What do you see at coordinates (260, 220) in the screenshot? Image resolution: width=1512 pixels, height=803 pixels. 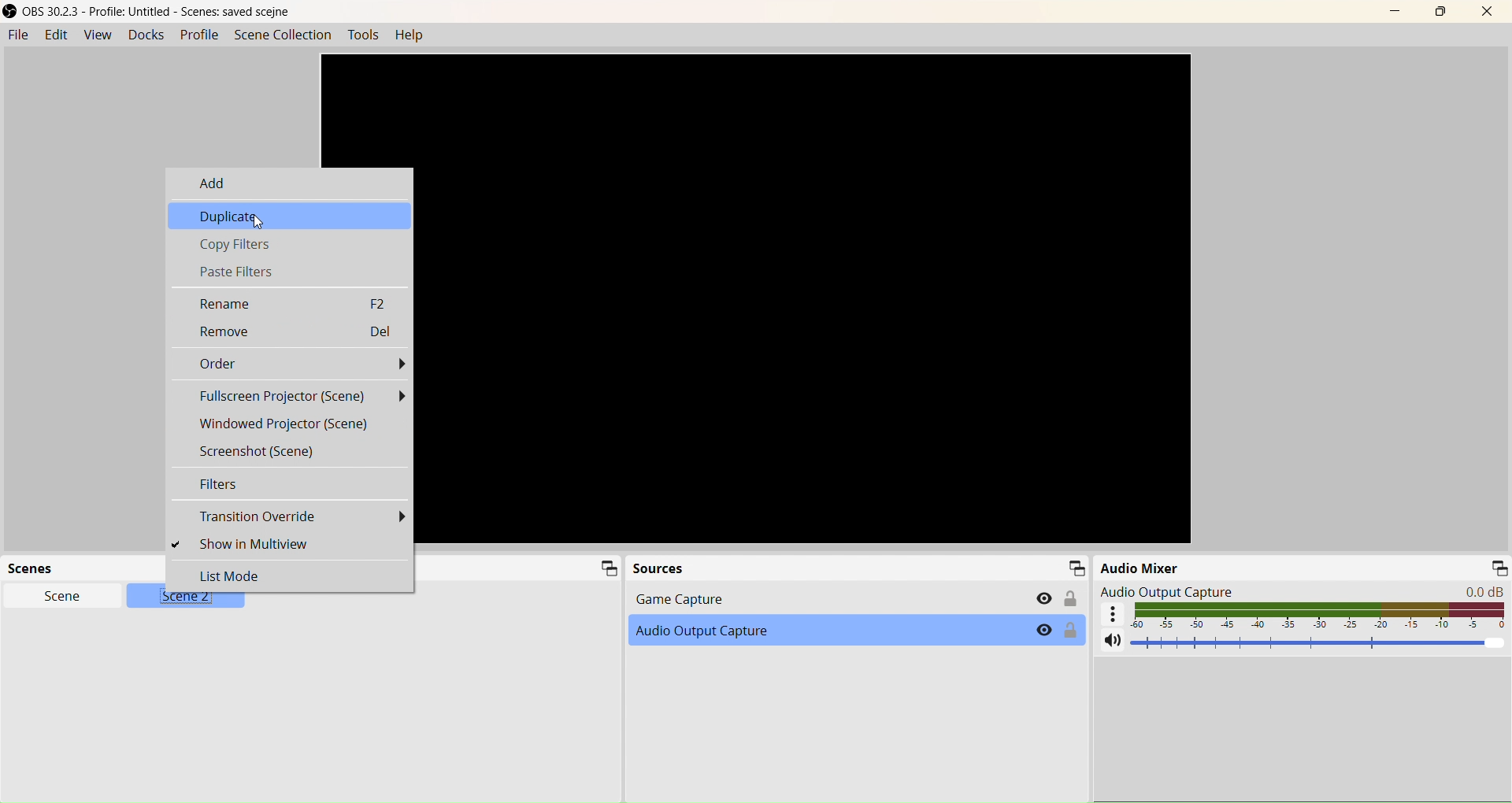 I see `Cursor` at bounding box center [260, 220].